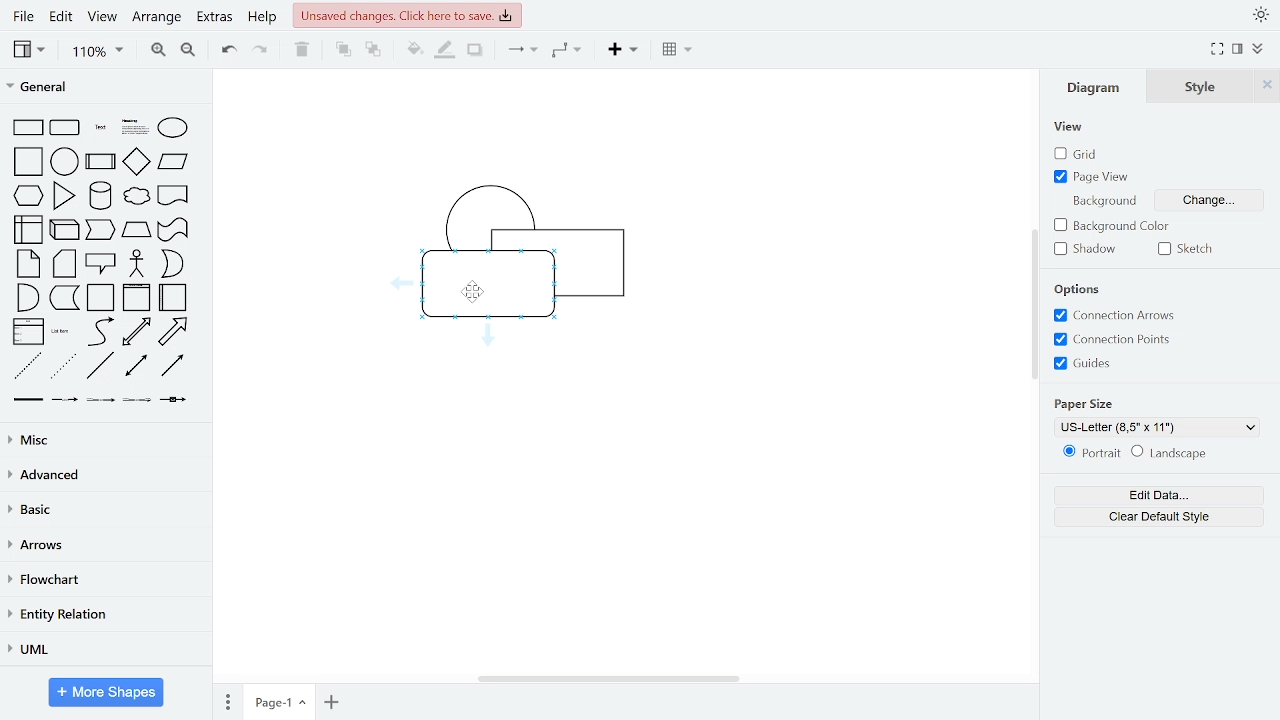 This screenshot has height=720, width=1280. Describe the element at coordinates (102, 17) in the screenshot. I see `view` at that location.